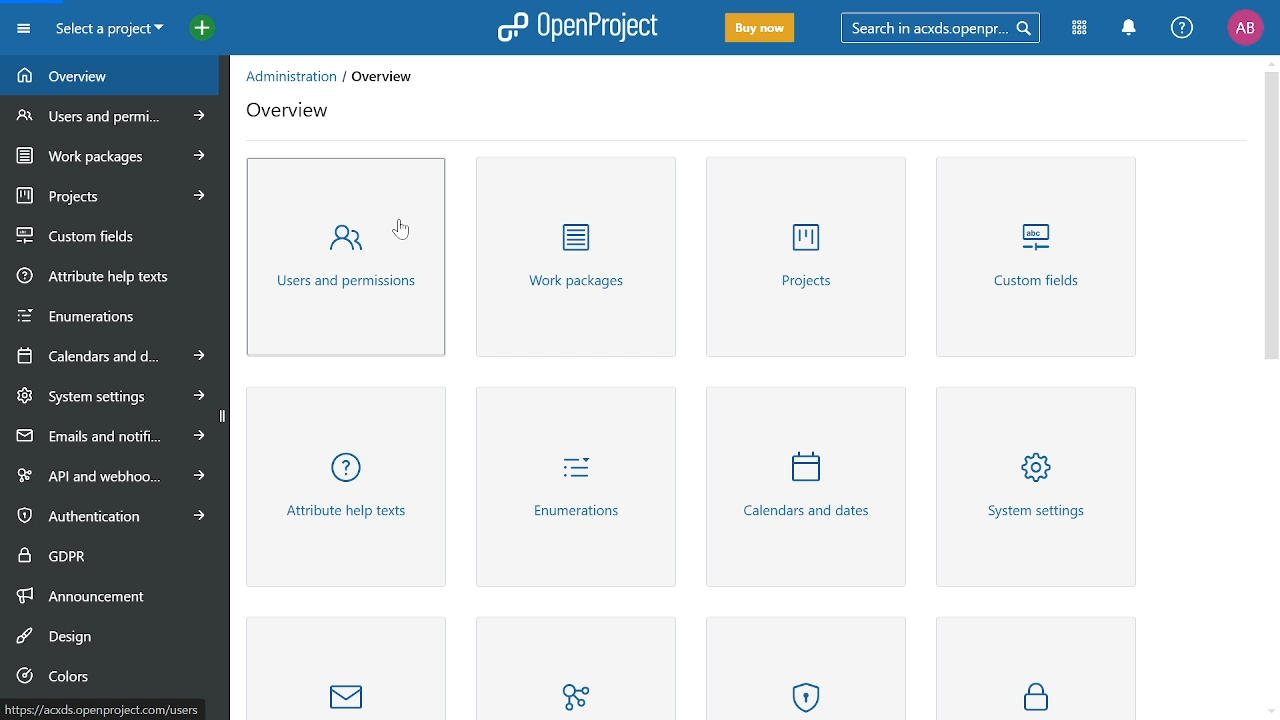  Describe the element at coordinates (345, 666) in the screenshot. I see `Masseging` at that location.